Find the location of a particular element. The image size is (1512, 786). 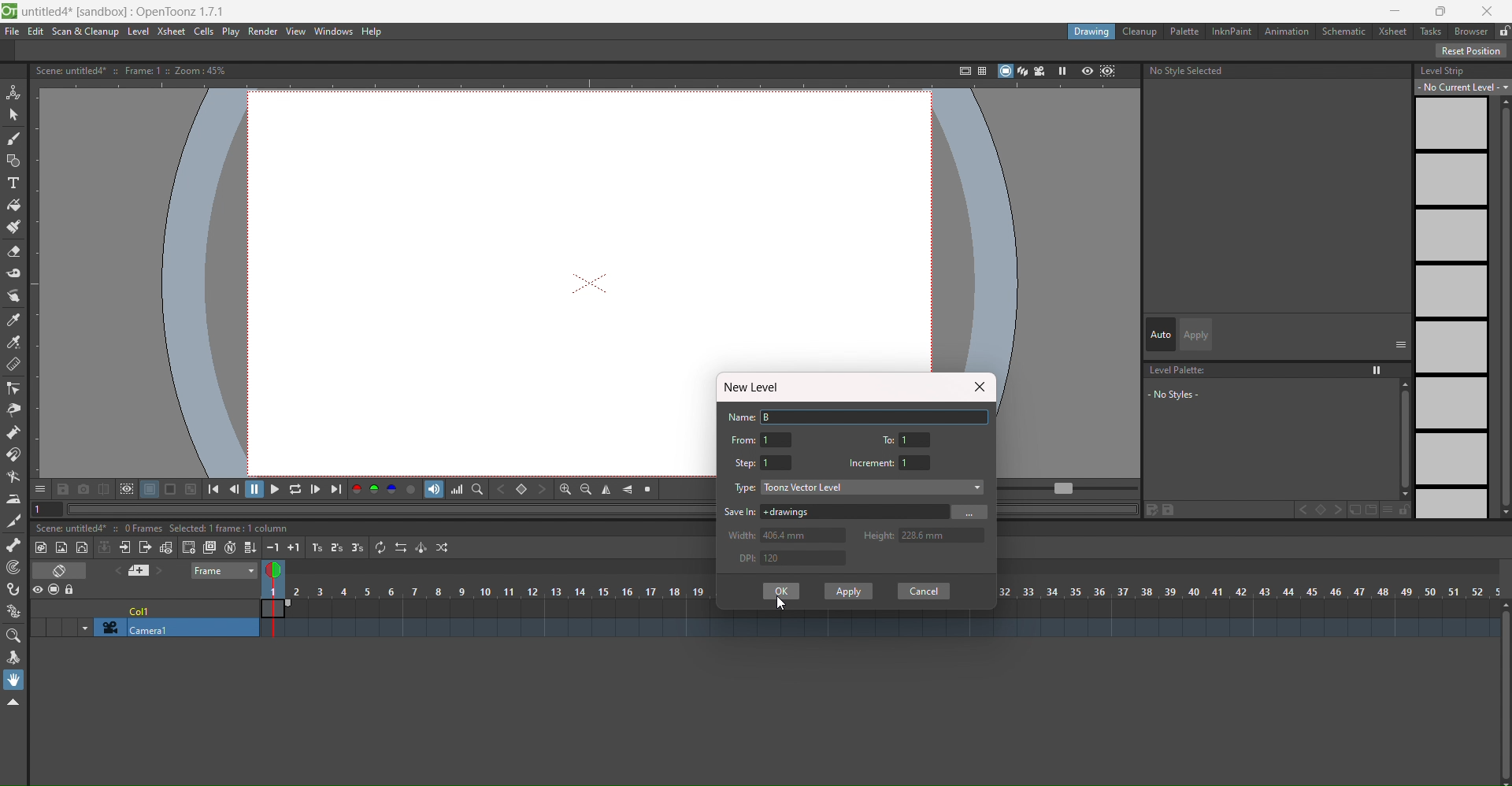

schematic is located at coordinates (1343, 31).